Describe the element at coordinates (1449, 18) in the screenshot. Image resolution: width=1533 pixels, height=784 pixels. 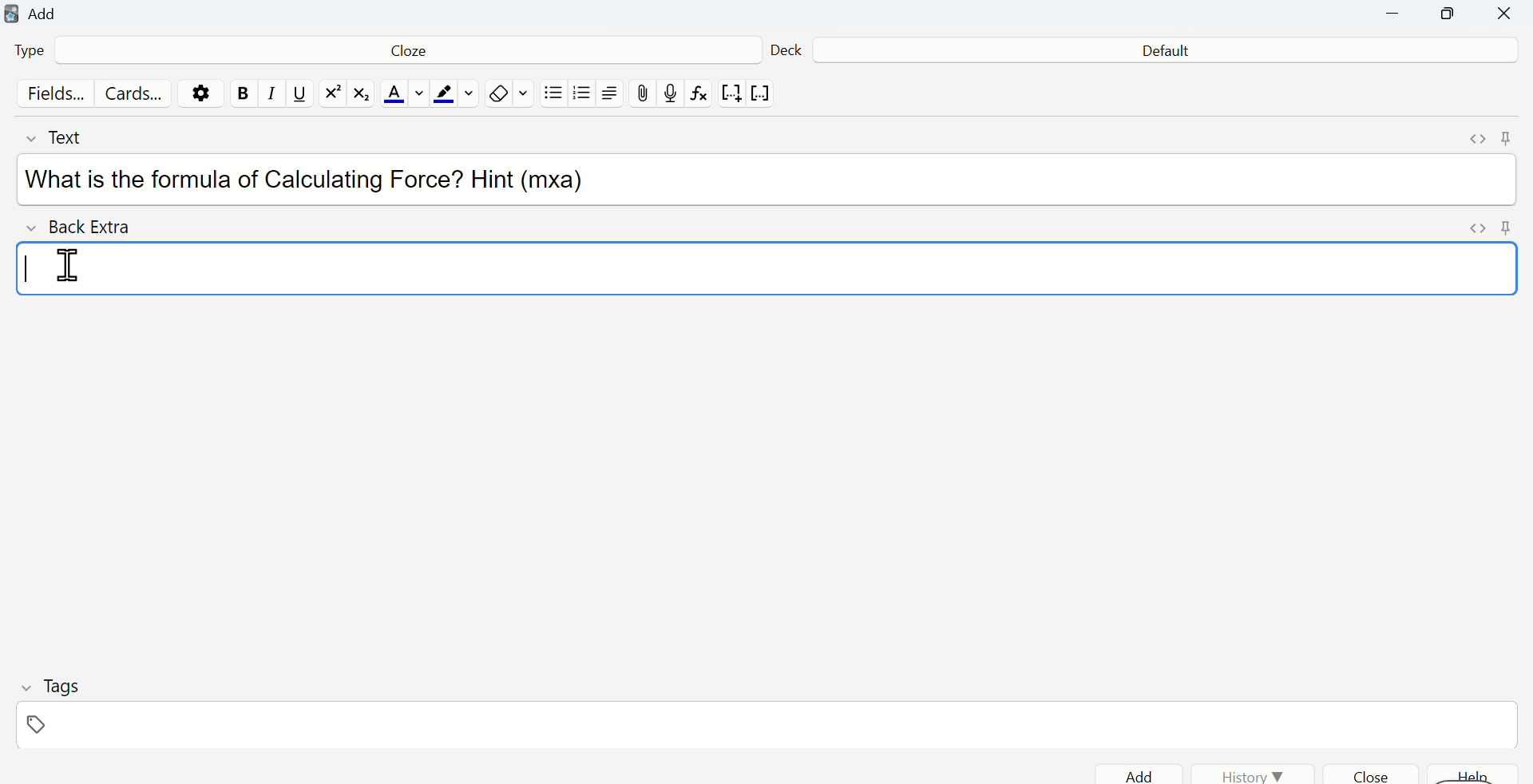
I see `Maximize` at that location.